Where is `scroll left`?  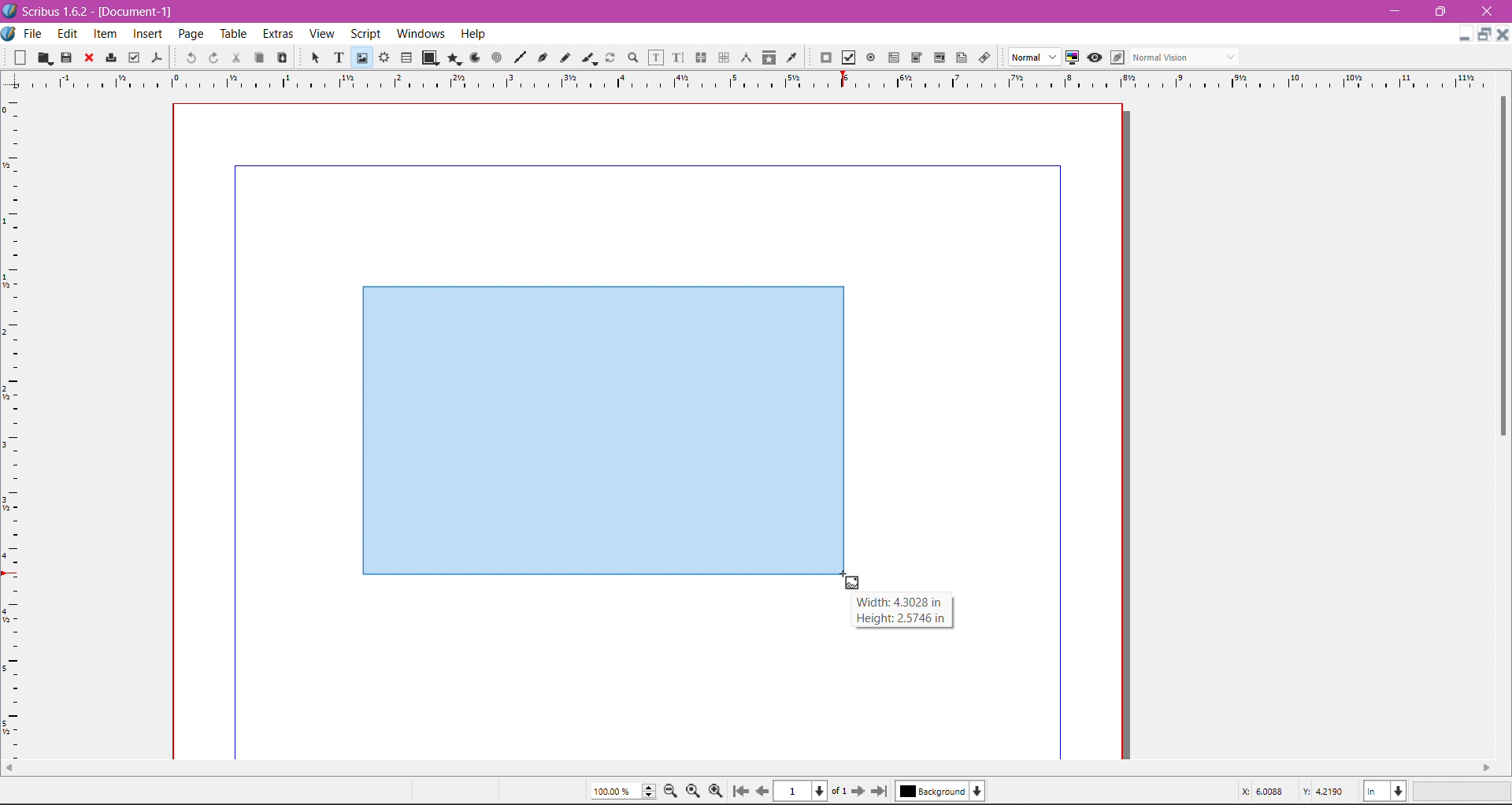 scroll left is located at coordinates (1489, 767).